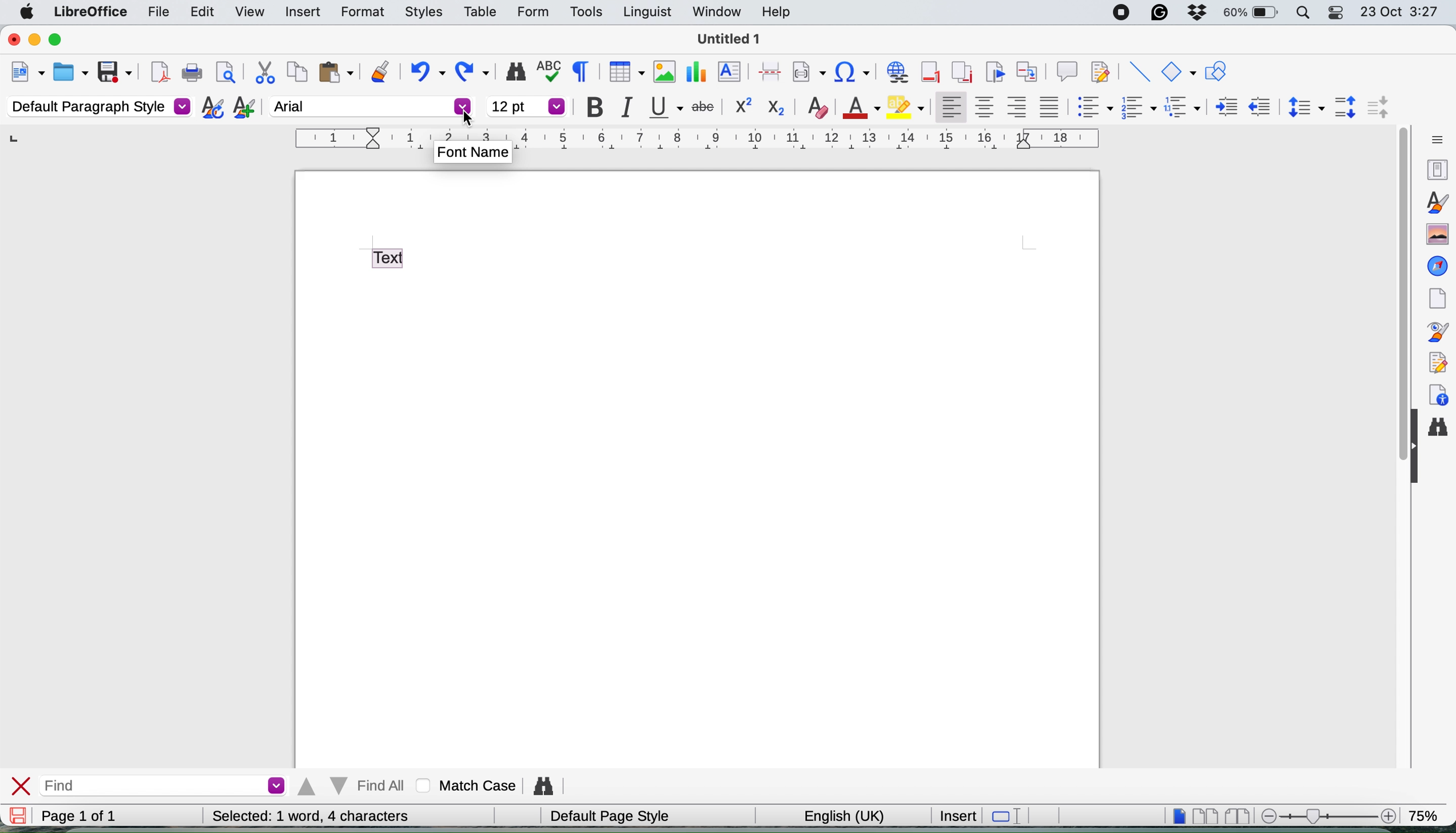  Describe the element at coordinates (1434, 140) in the screenshot. I see `sidebar settings` at that location.